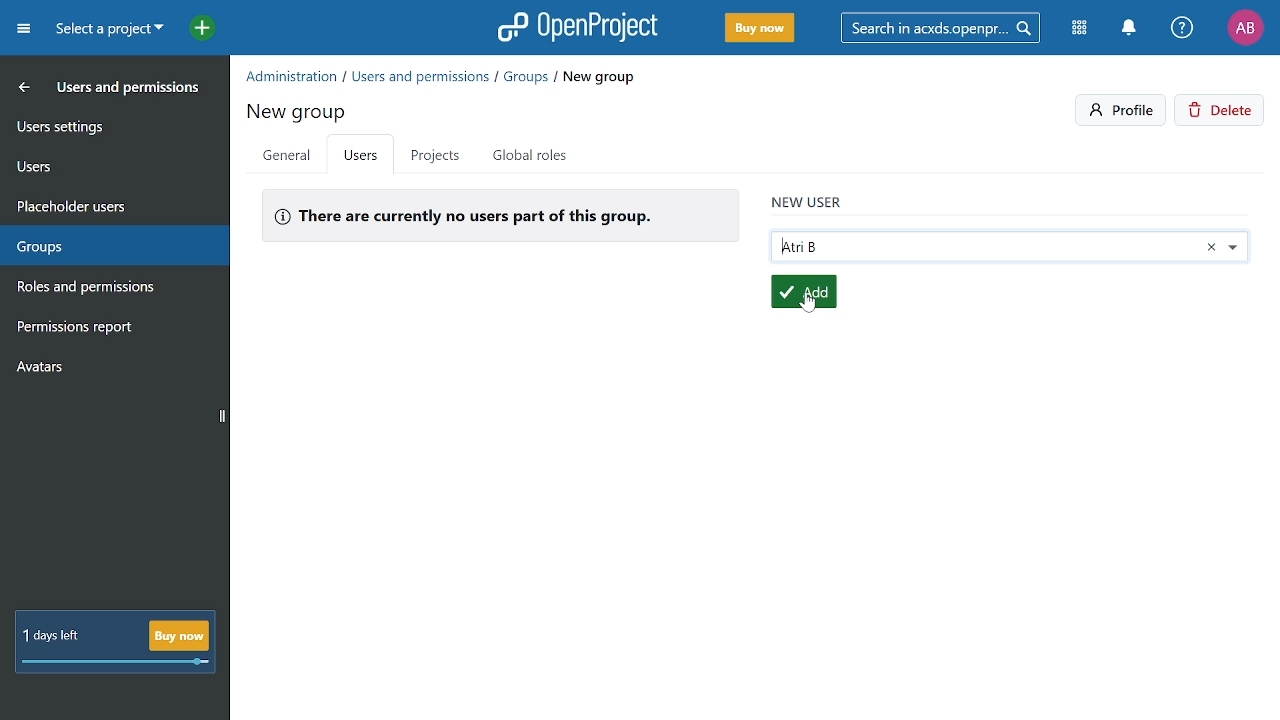  Describe the element at coordinates (111, 371) in the screenshot. I see `Avatars` at that location.